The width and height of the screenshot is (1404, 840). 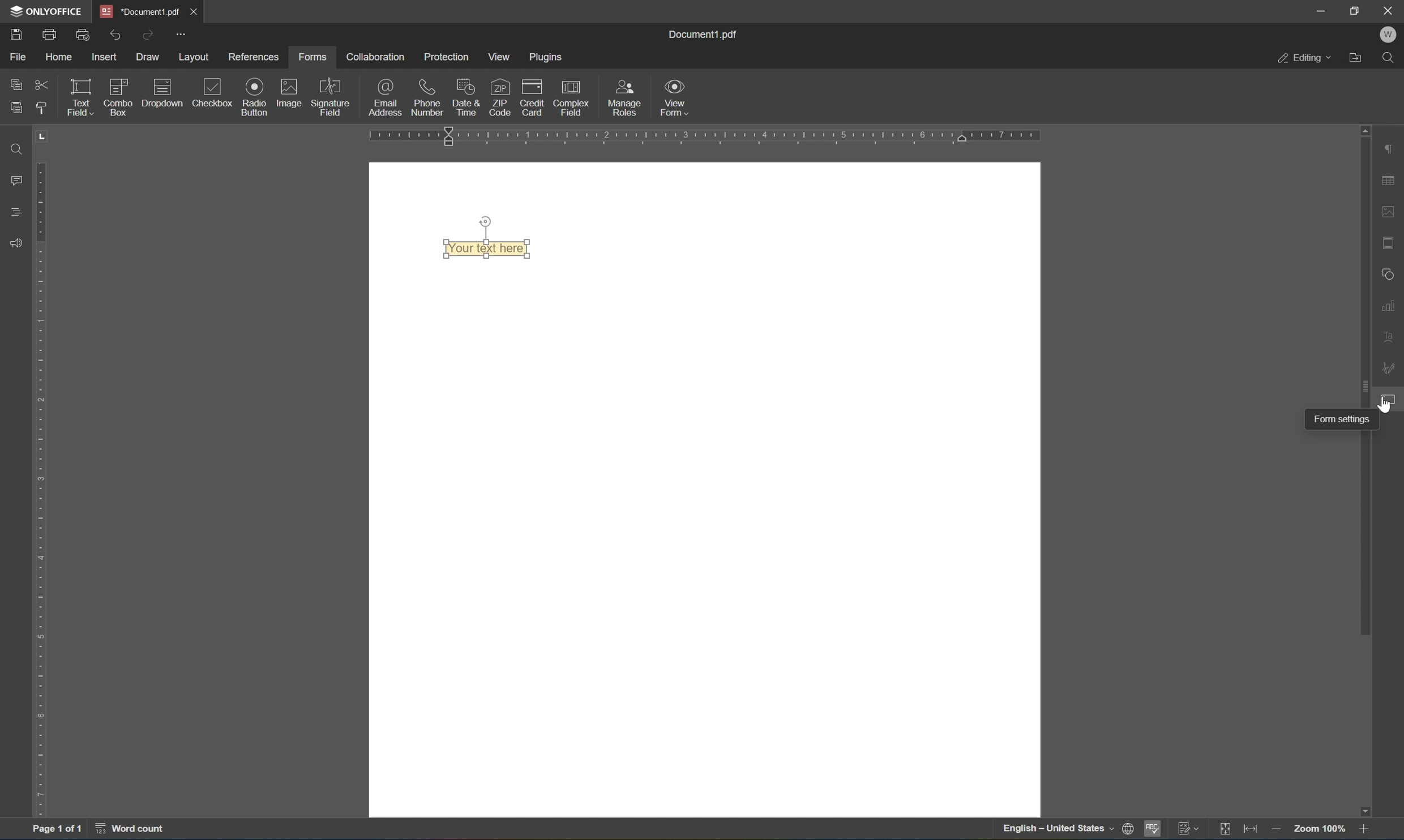 I want to click on close, so click(x=1391, y=9).